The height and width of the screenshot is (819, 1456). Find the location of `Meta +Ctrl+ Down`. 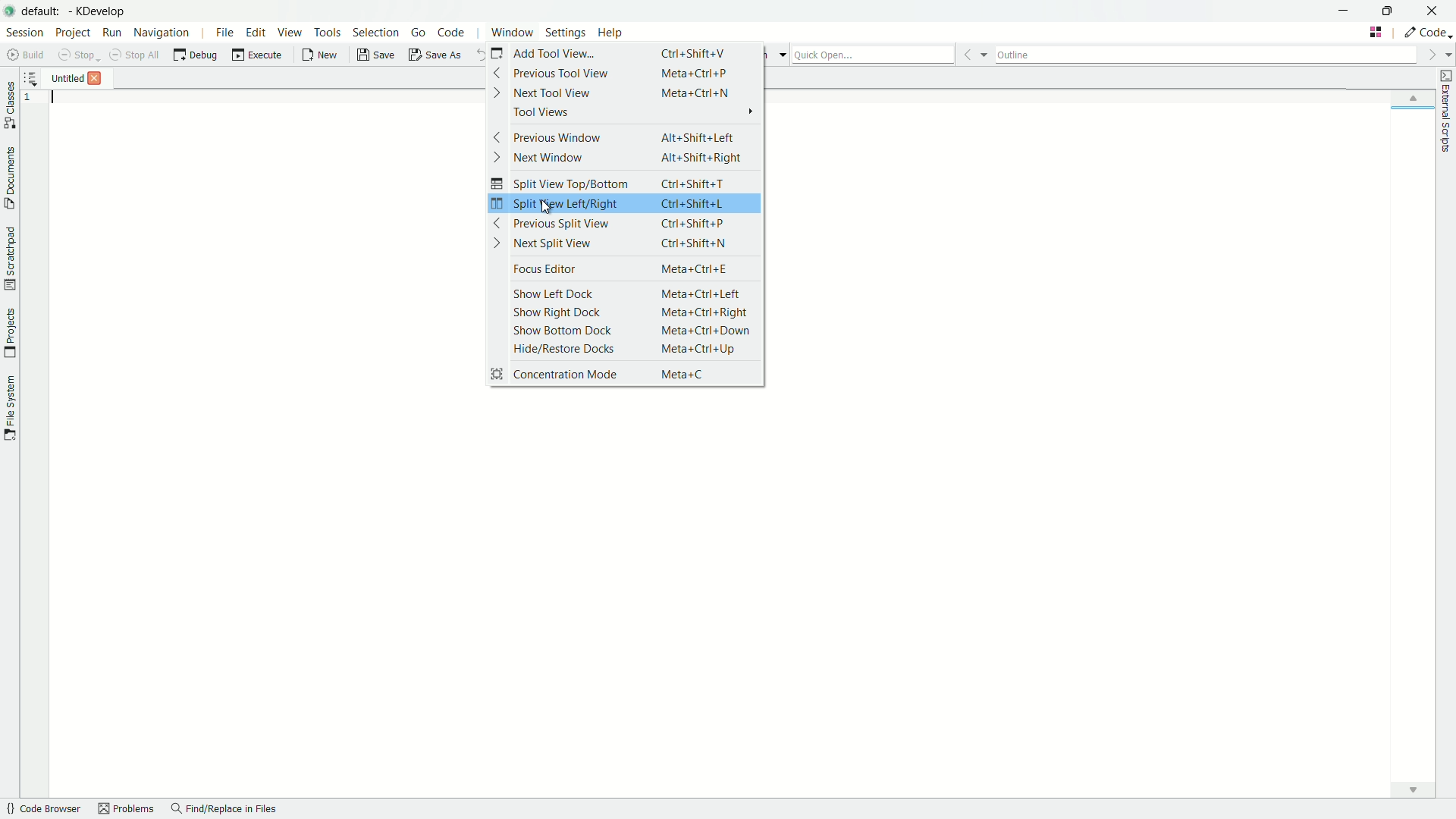

Meta +Ctrl+ Down is located at coordinates (708, 329).